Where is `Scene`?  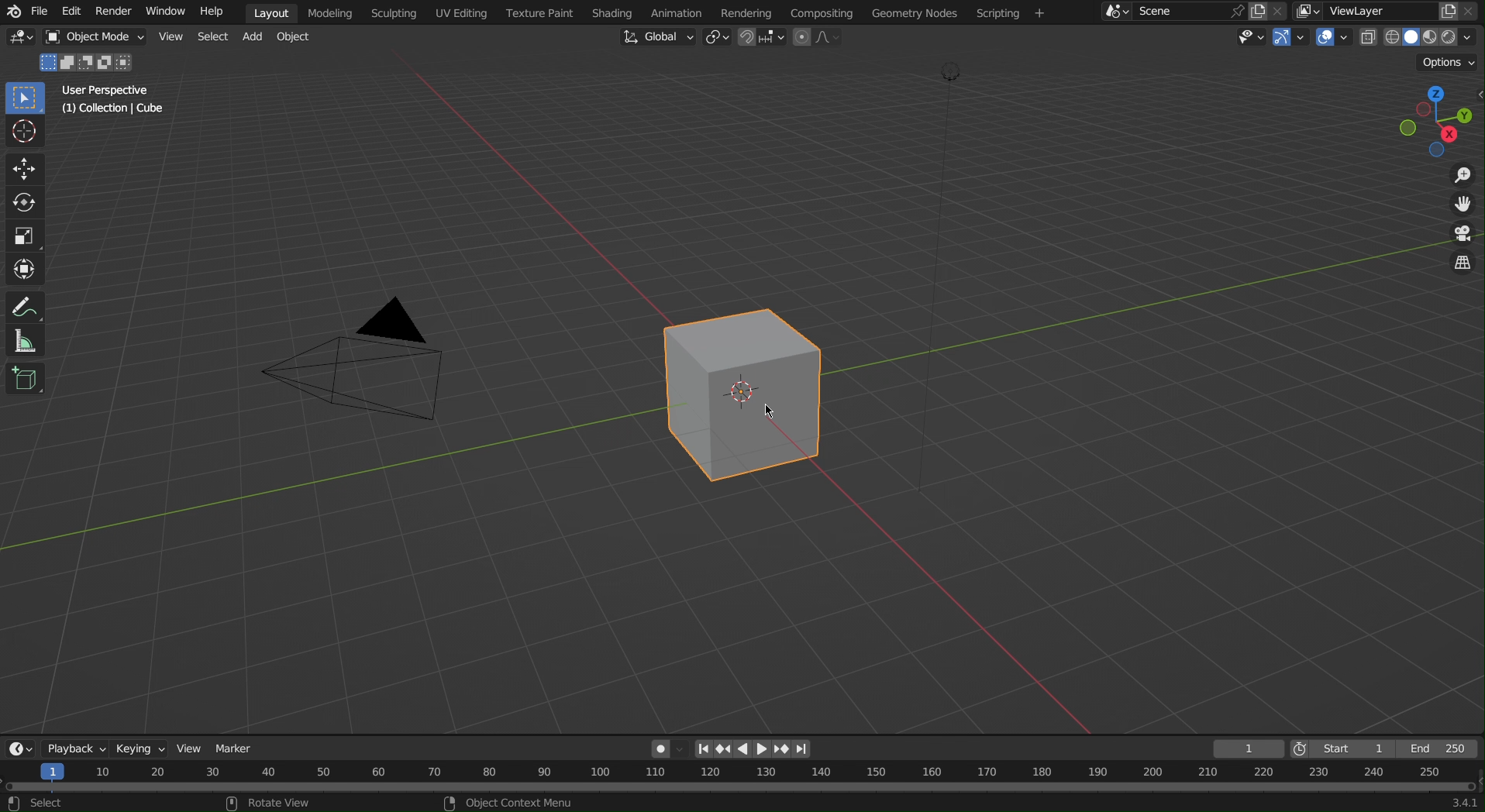 Scene is located at coordinates (1280, 12).